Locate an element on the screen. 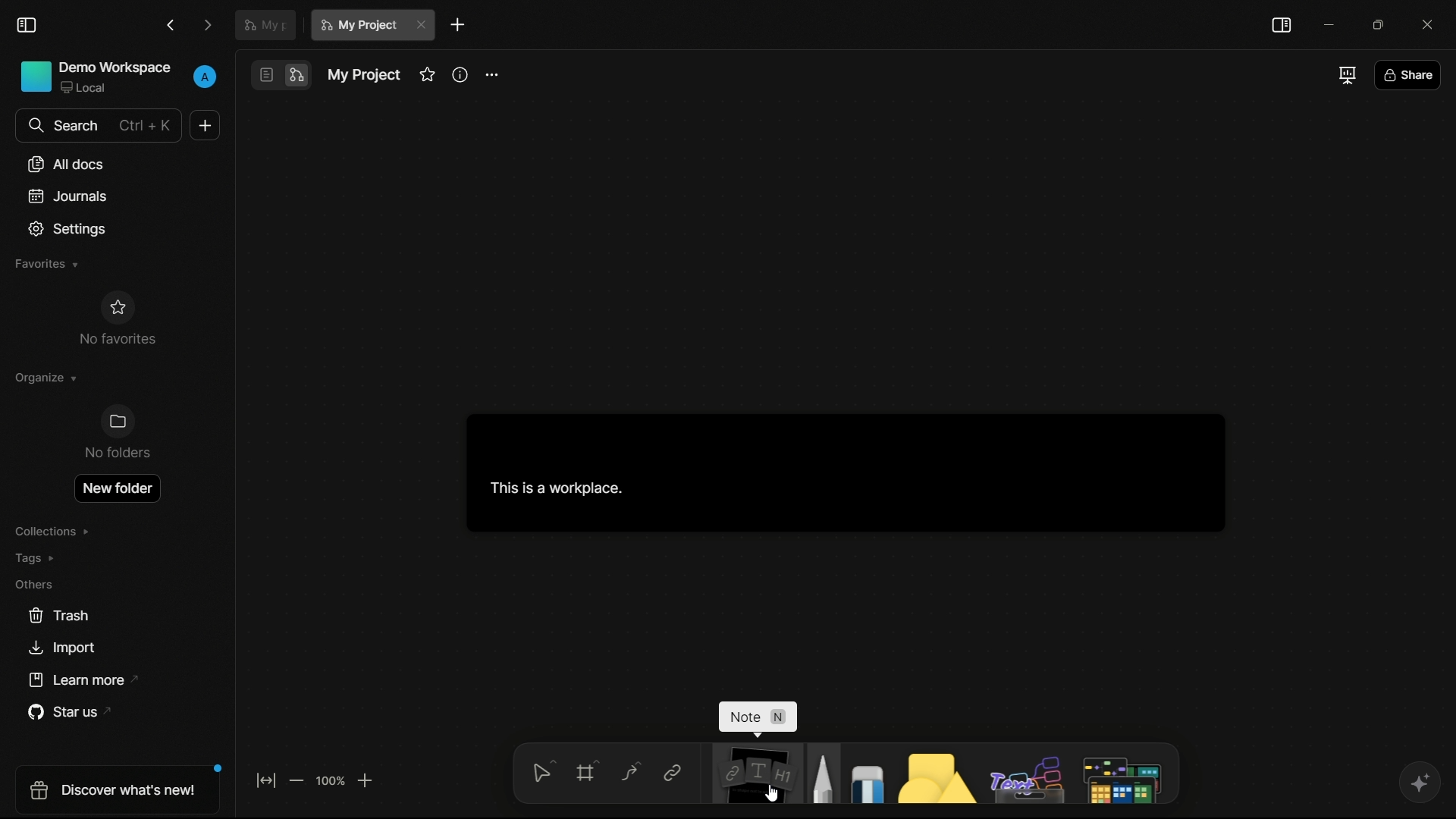 This screenshot has width=1456, height=819. others is located at coordinates (39, 584).